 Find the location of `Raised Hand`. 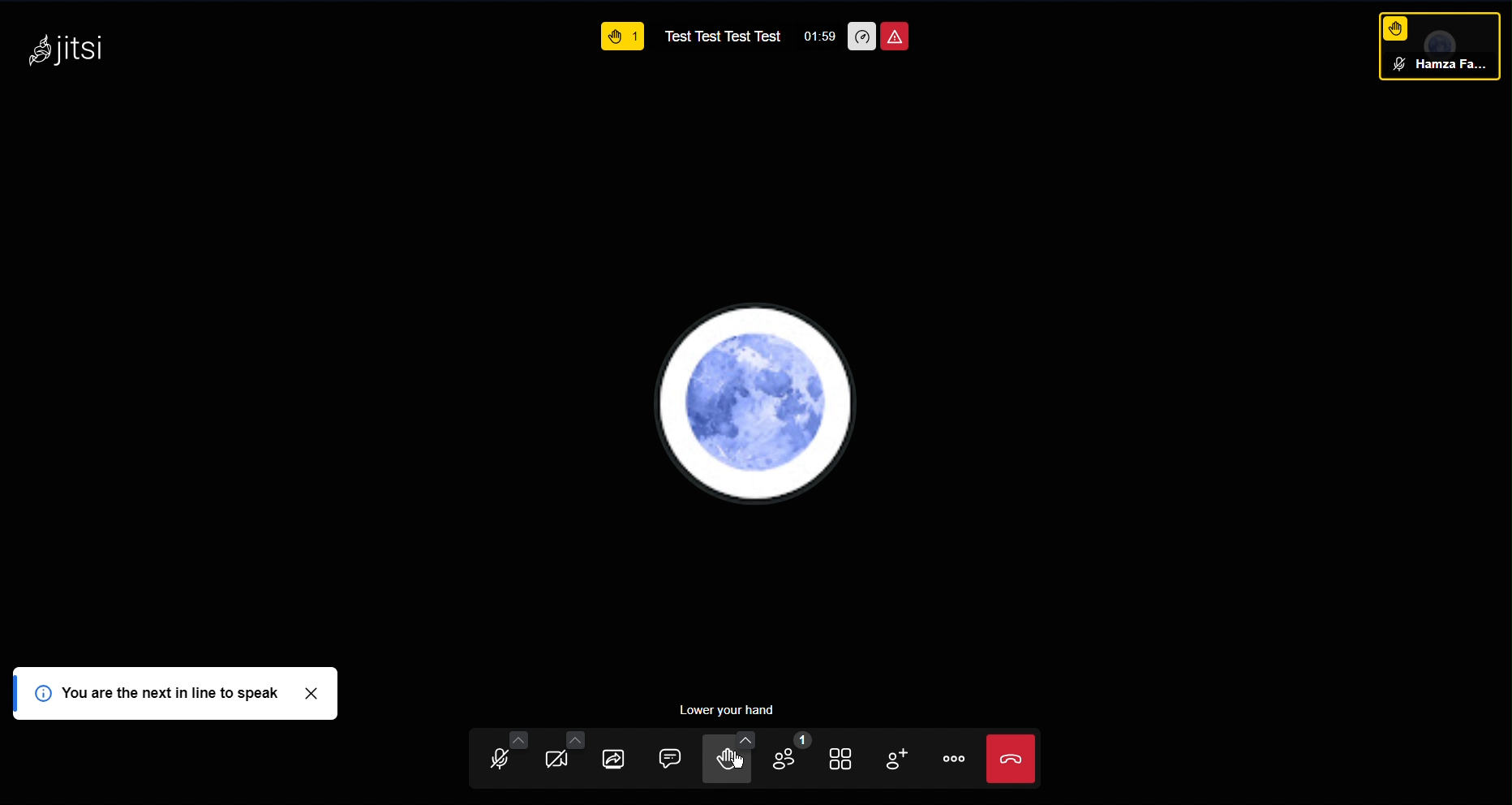

Raised Hand is located at coordinates (624, 38).